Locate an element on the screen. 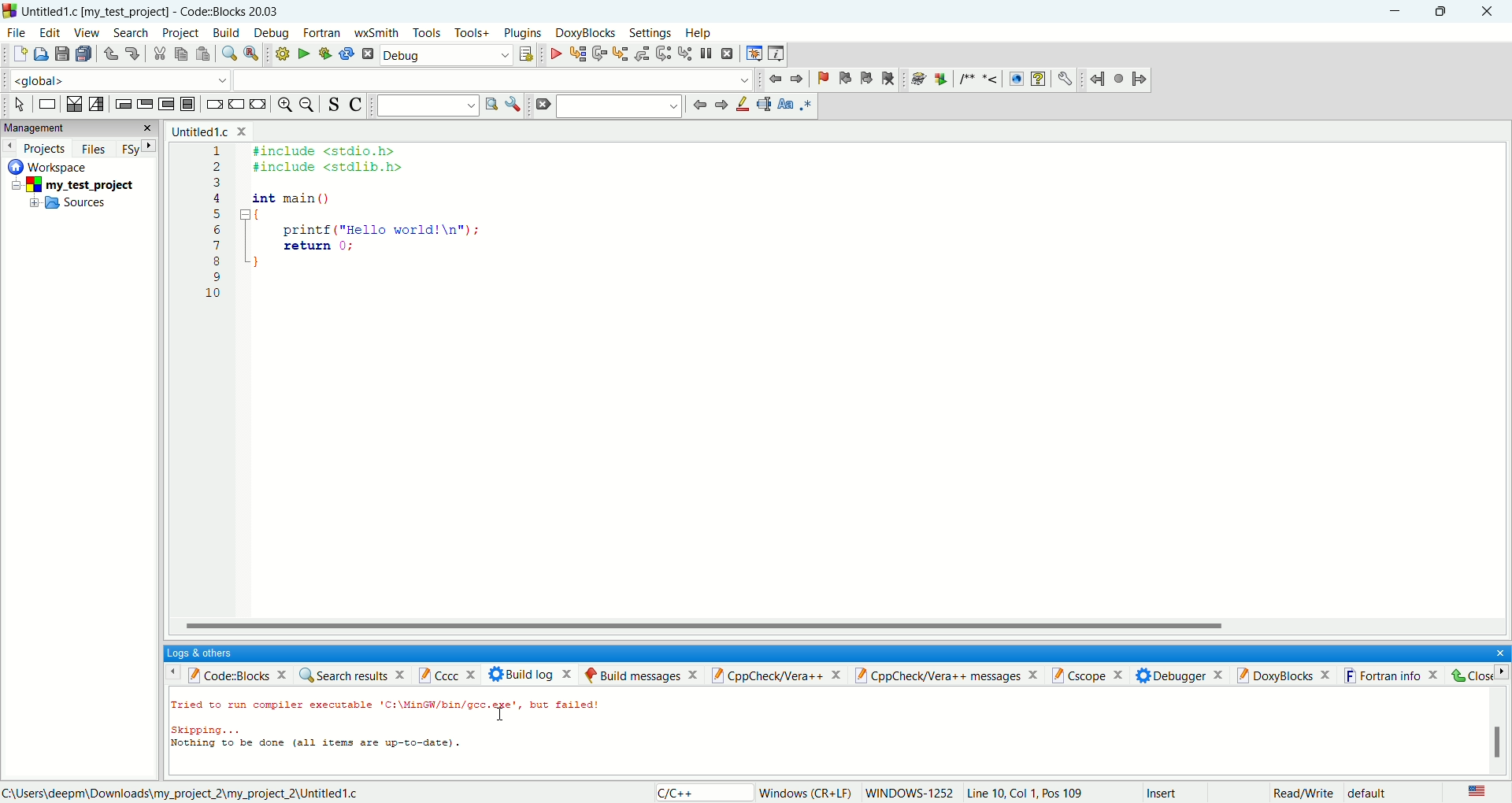  highlight is located at coordinates (743, 105).